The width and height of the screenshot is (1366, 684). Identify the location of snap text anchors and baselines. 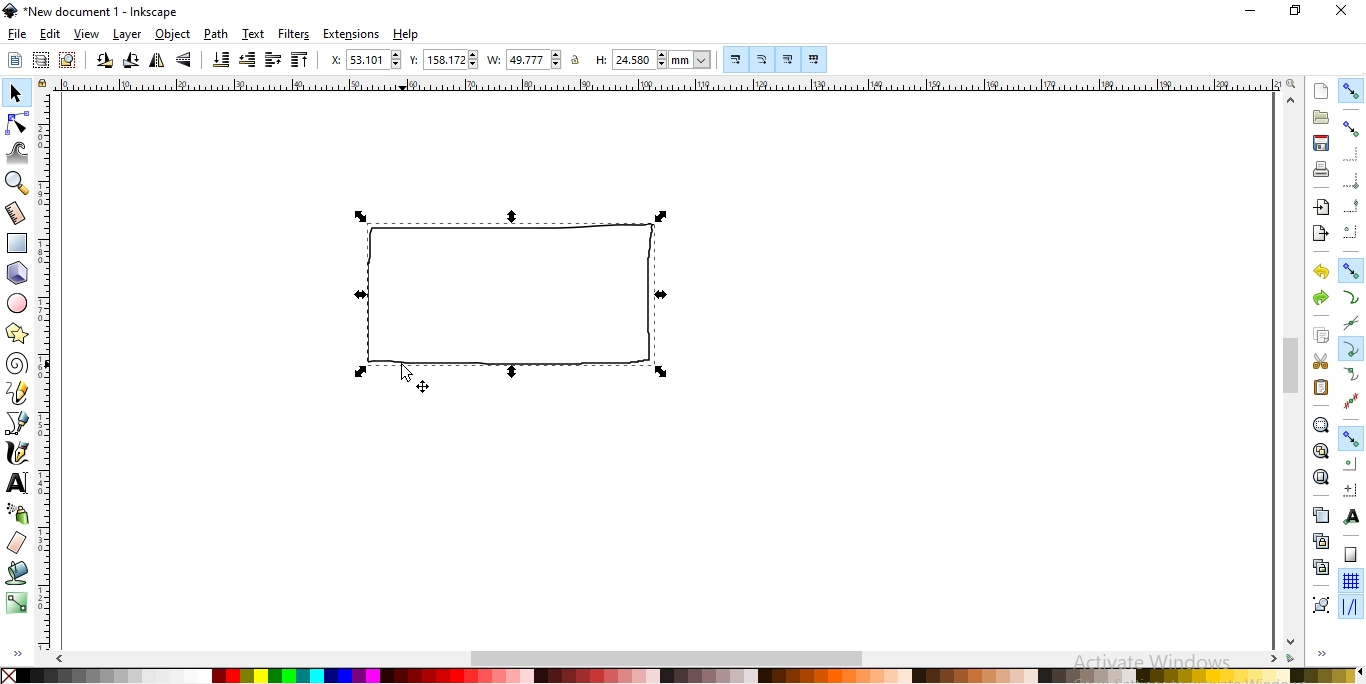
(1353, 517).